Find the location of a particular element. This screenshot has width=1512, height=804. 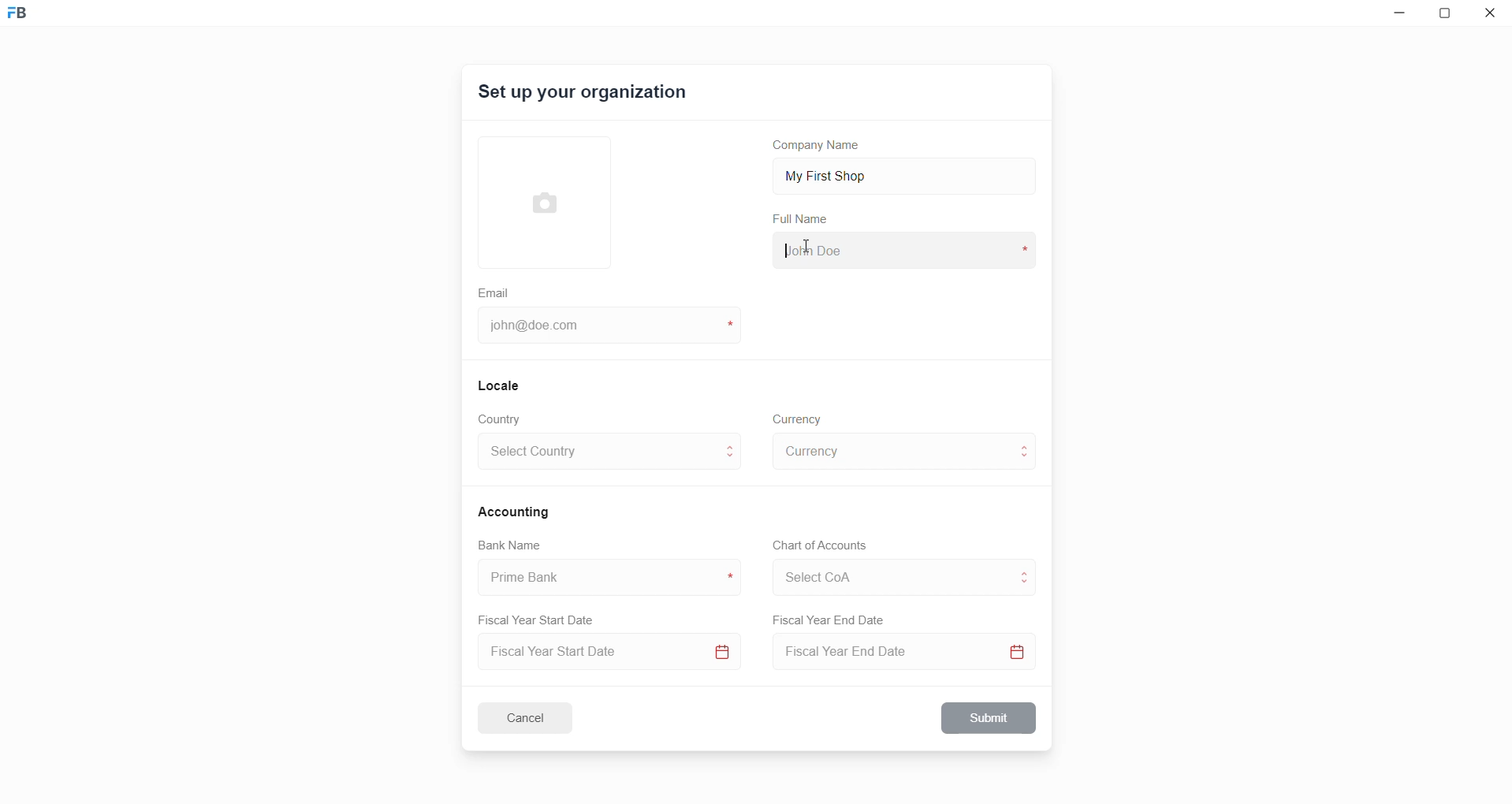

select country is located at coordinates (598, 454).